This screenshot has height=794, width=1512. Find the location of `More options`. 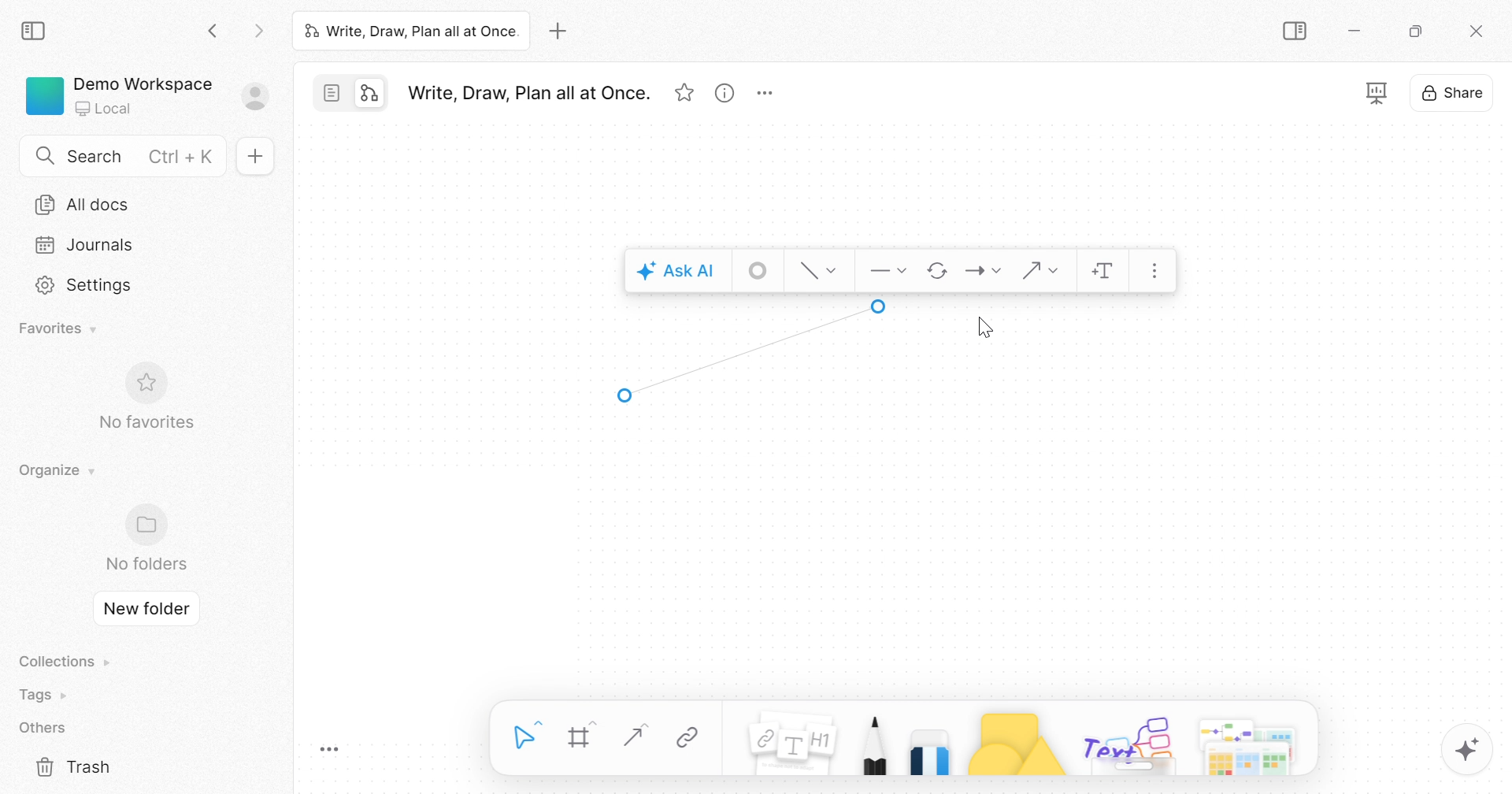

More options is located at coordinates (1250, 743).